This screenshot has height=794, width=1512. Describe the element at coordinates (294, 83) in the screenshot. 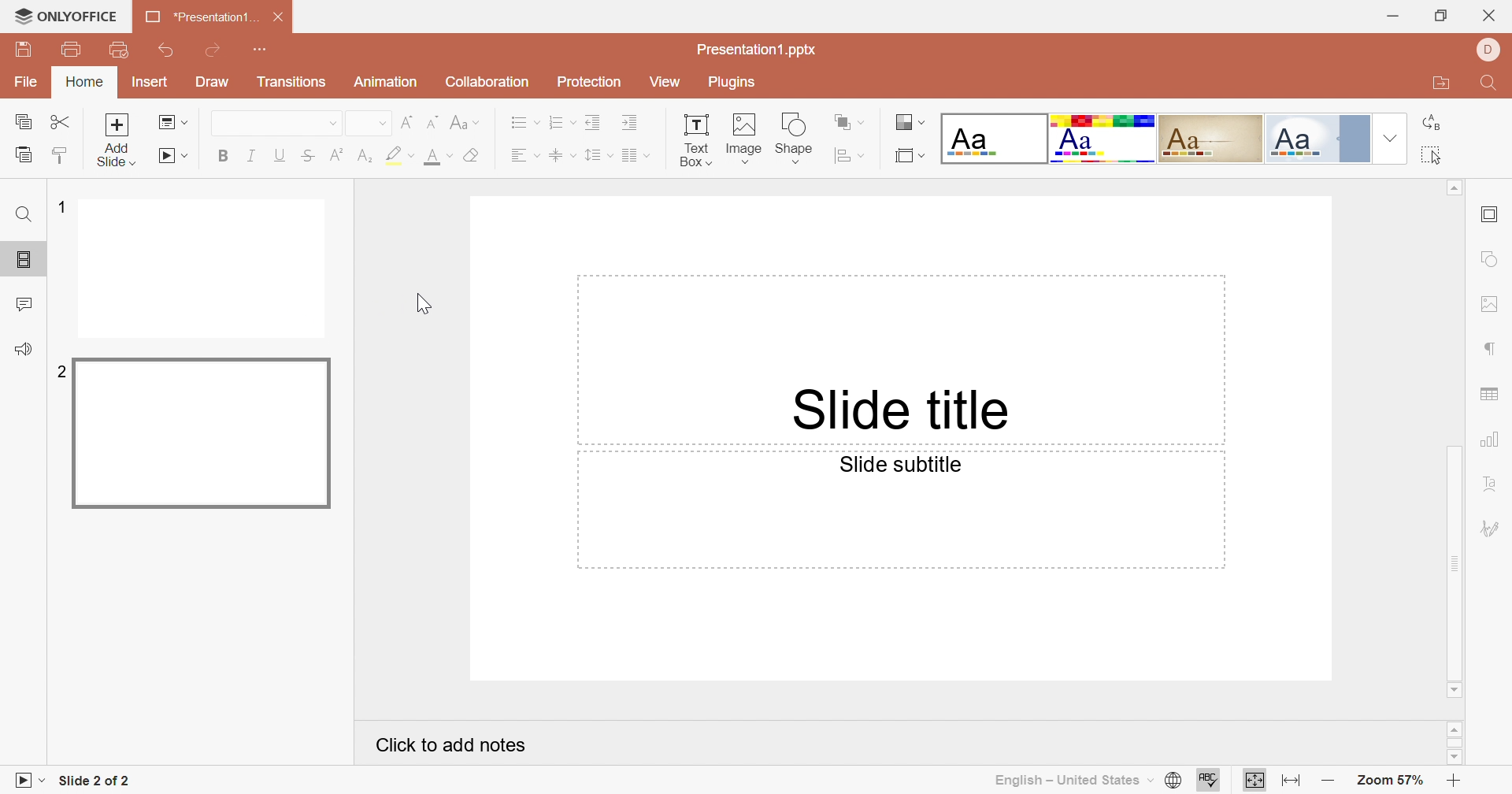

I see `Transitions` at that location.